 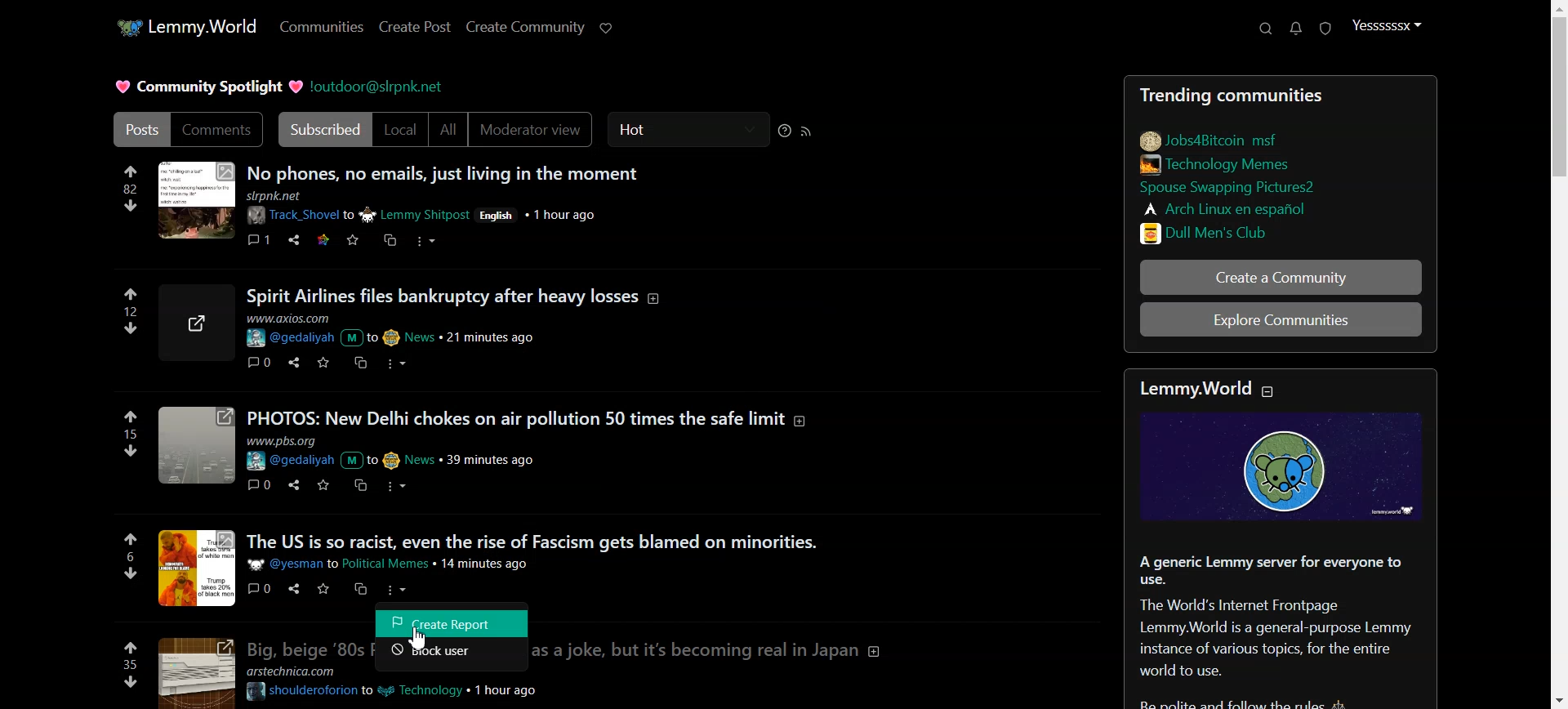 What do you see at coordinates (397, 363) in the screenshot?
I see `more` at bounding box center [397, 363].